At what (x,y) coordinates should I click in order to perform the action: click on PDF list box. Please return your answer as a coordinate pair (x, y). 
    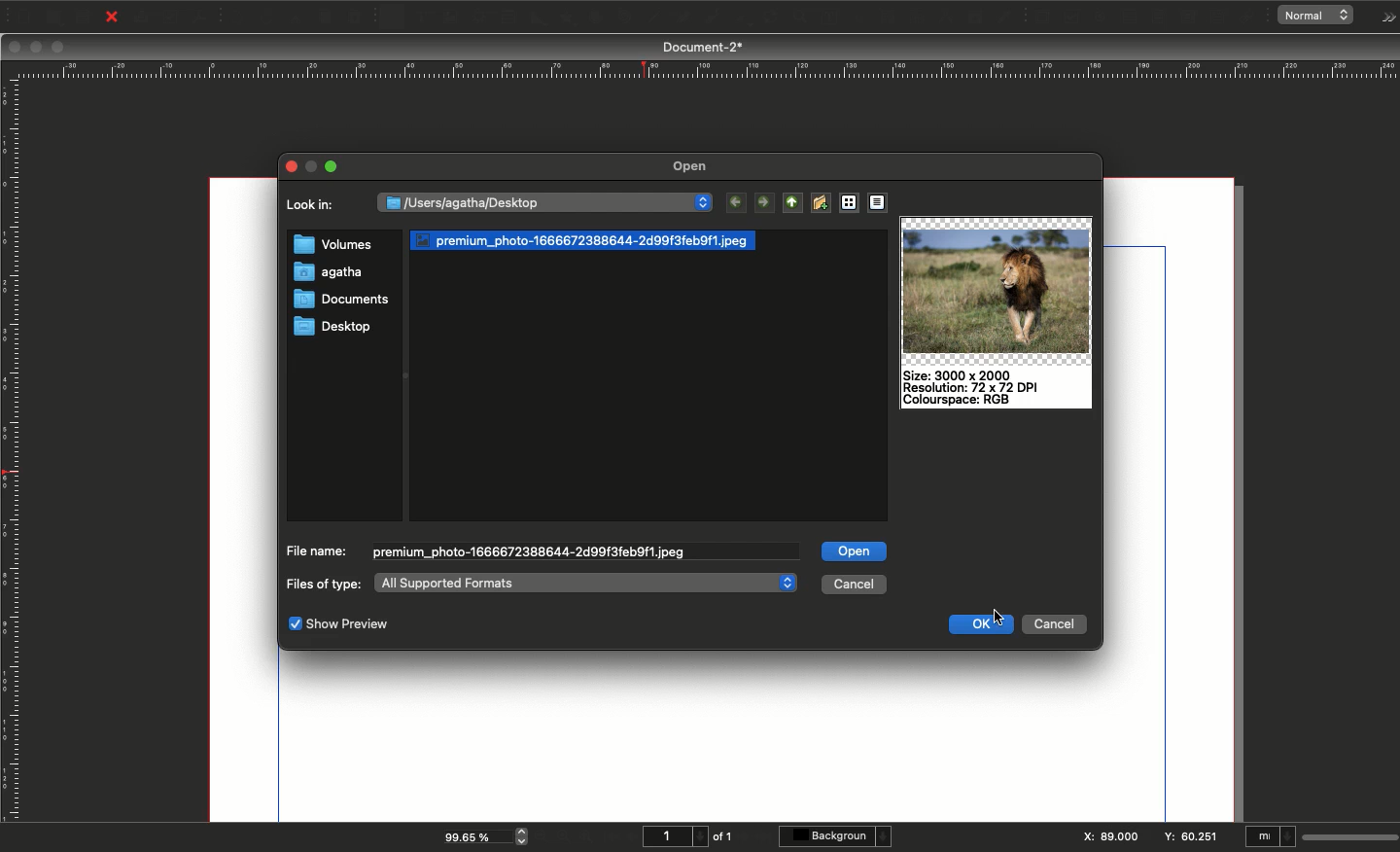
    Looking at the image, I should click on (1189, 18).